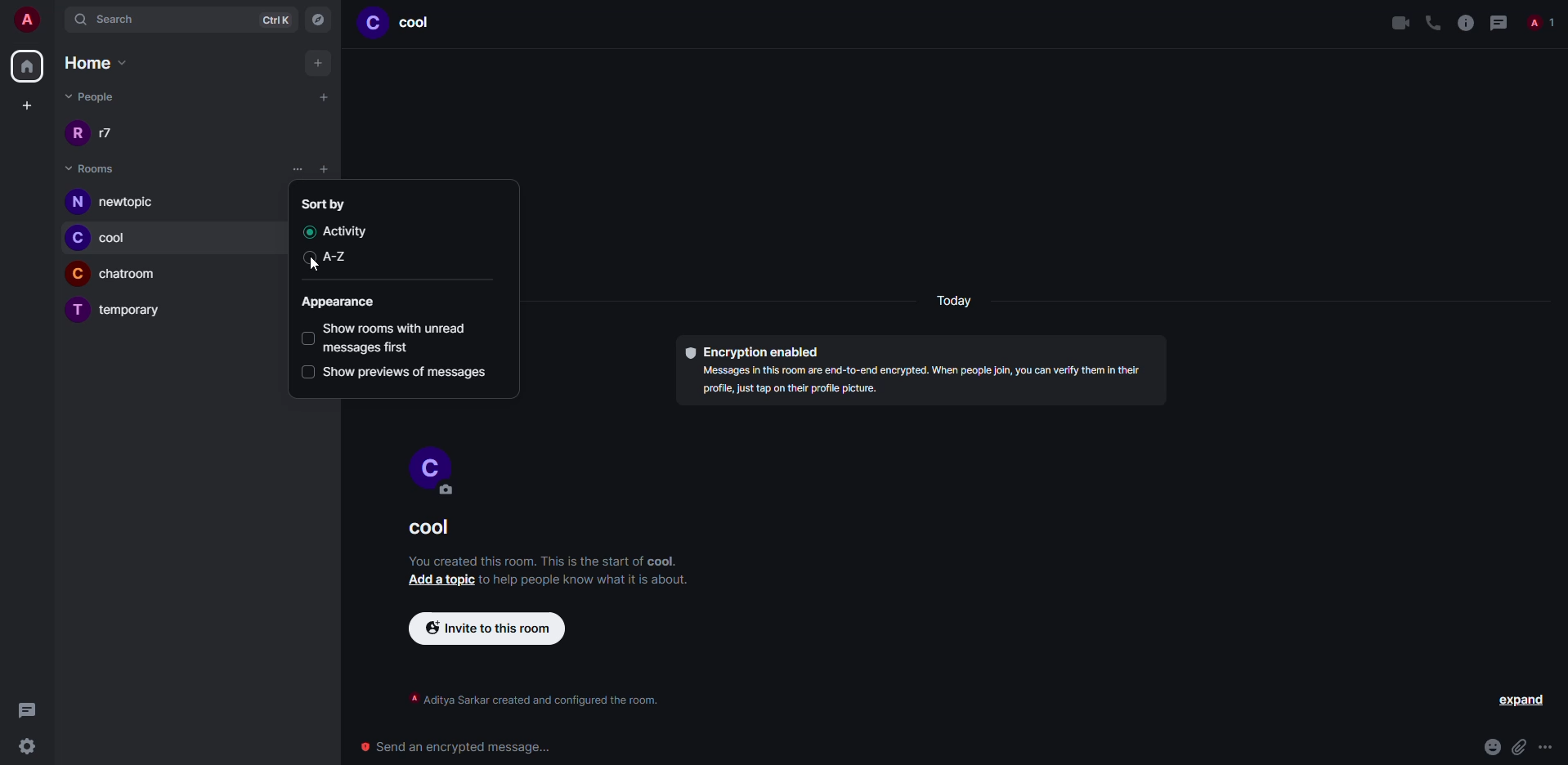  What do you see at coordinates (88, 96) in the screenshot?
I see `people` at bounding box center [88, 96].